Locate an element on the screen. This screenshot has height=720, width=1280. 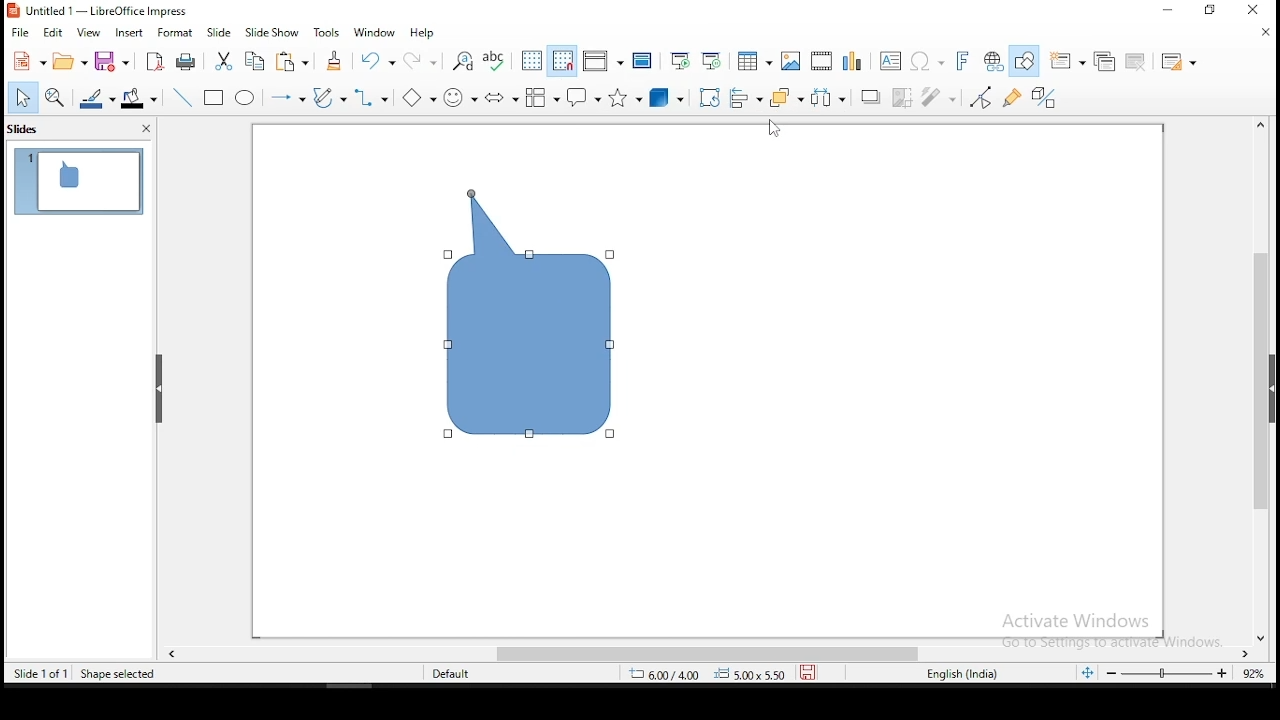
export as pdf is located at coordinates (154, 62).